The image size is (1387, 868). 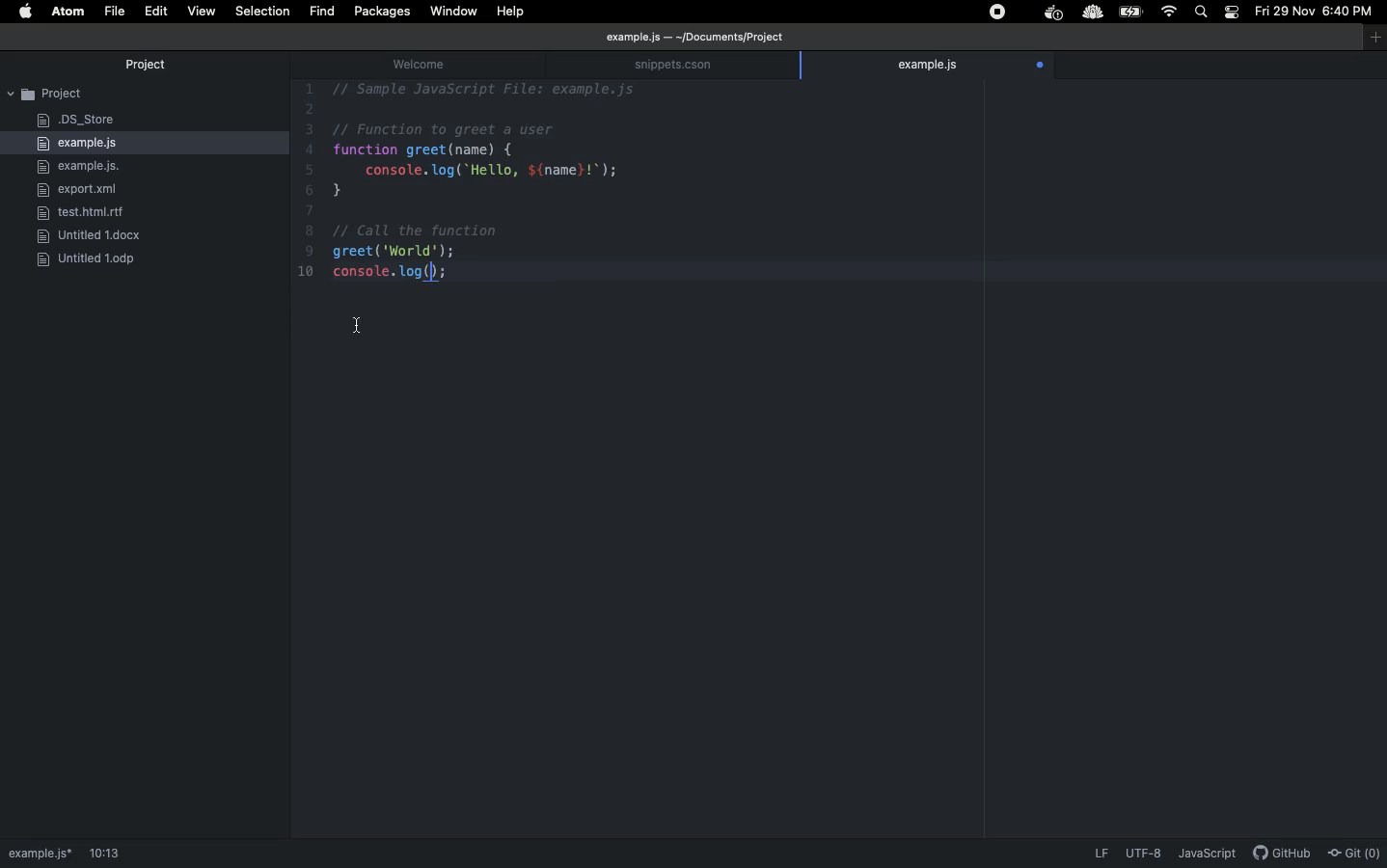 What do you see at coordinates (1133, 12) in the screenshot?
I see `Charge` at bounding box center [1133, 12].